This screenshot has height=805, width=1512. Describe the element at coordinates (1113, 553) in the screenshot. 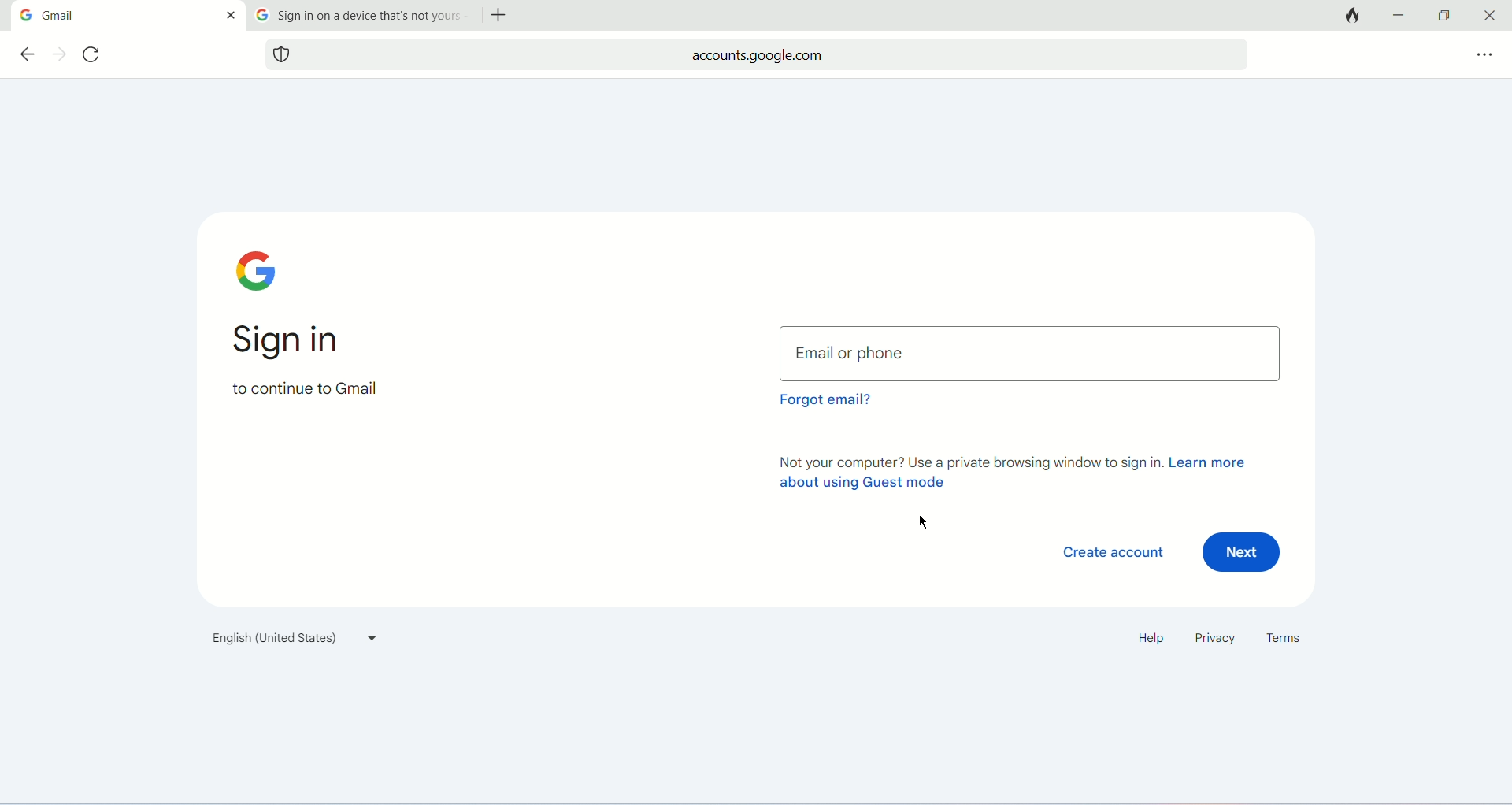

I see `create account` at that location.